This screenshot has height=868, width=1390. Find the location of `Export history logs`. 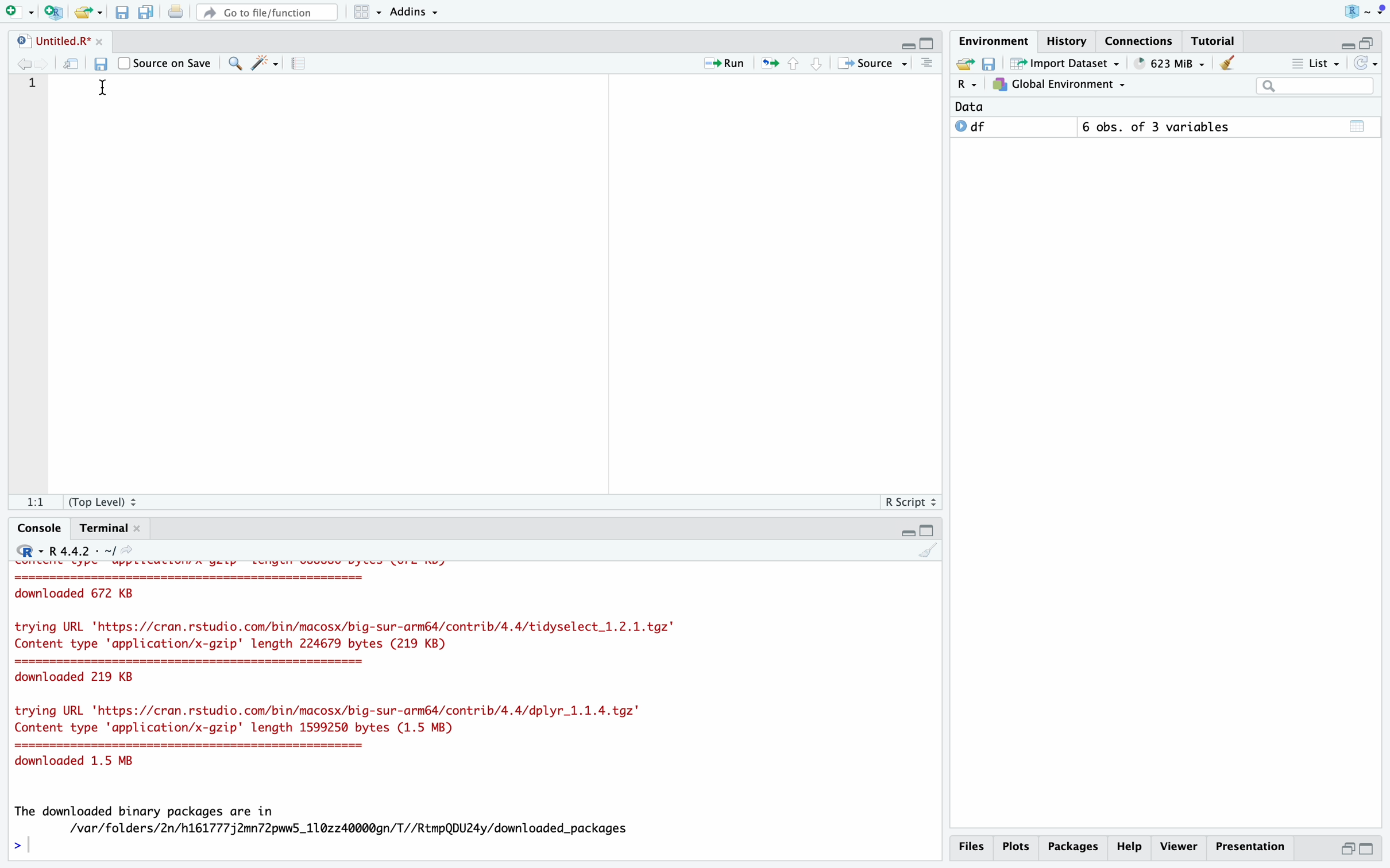

Export history logs is located at coordinates (967, 63).